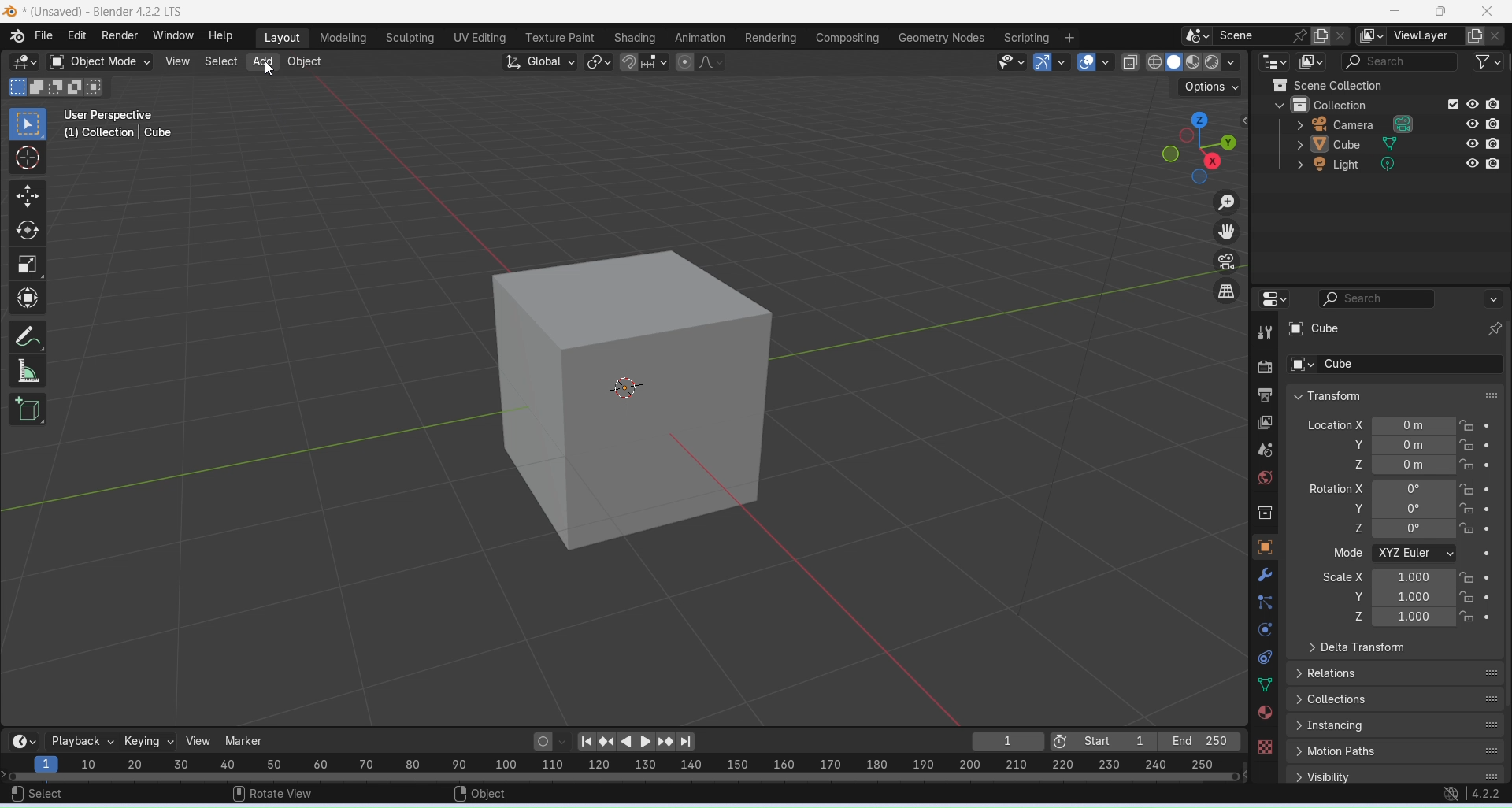  I want to click on Object mode, so click(96, 61).